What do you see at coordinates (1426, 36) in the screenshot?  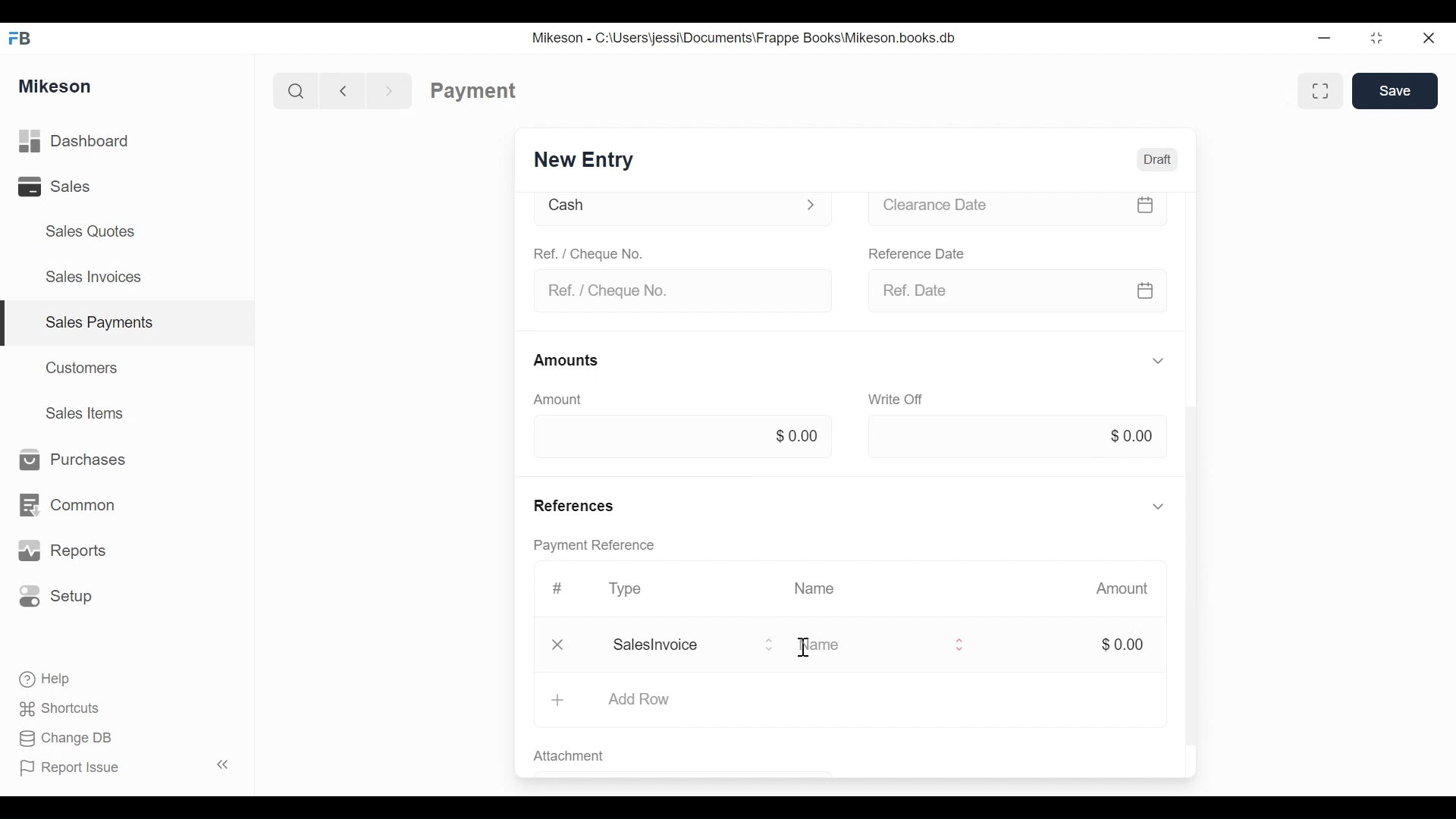 I see `Close` at bounding box center [1426, 36].